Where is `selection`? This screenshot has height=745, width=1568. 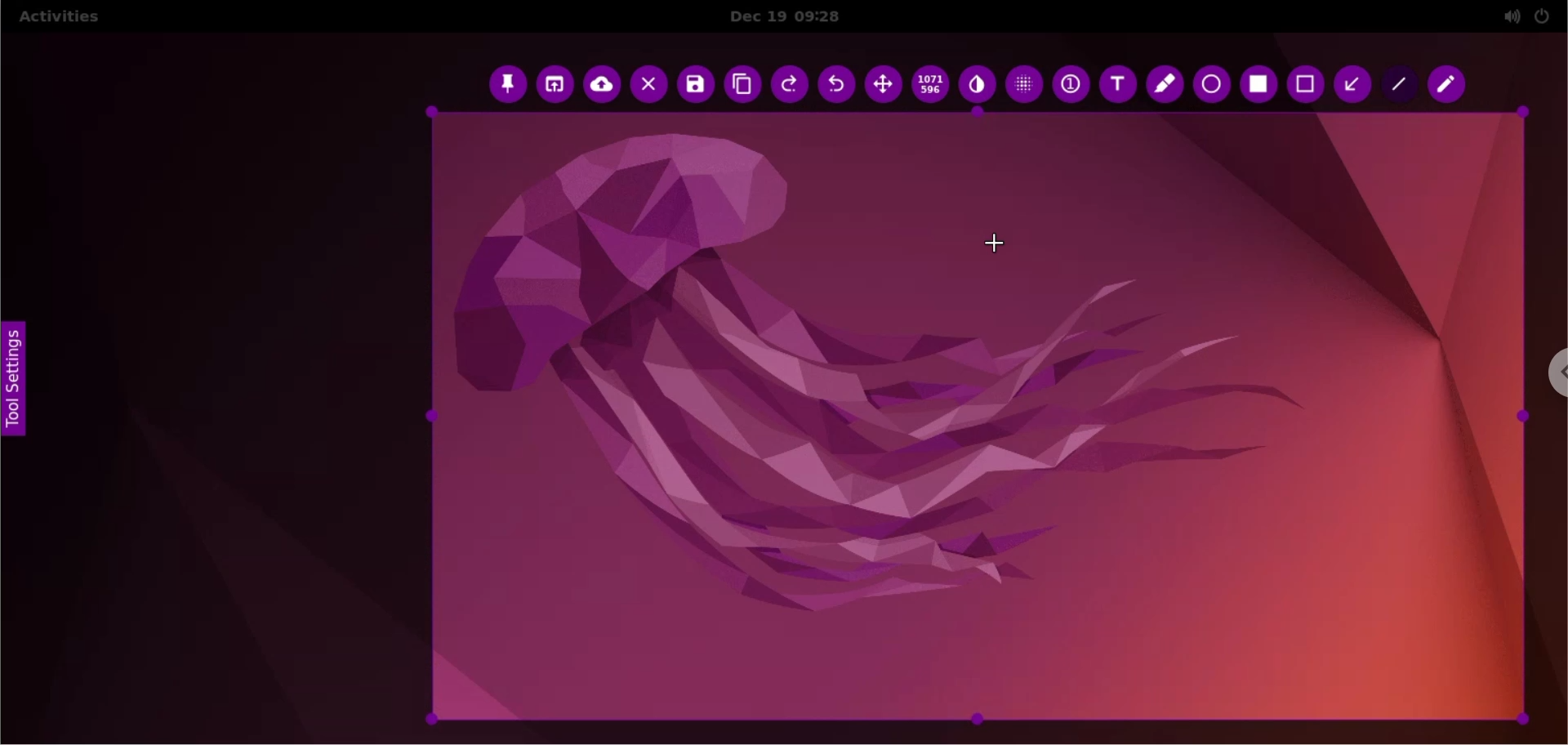
selection is located at coordinates (1261, 86).